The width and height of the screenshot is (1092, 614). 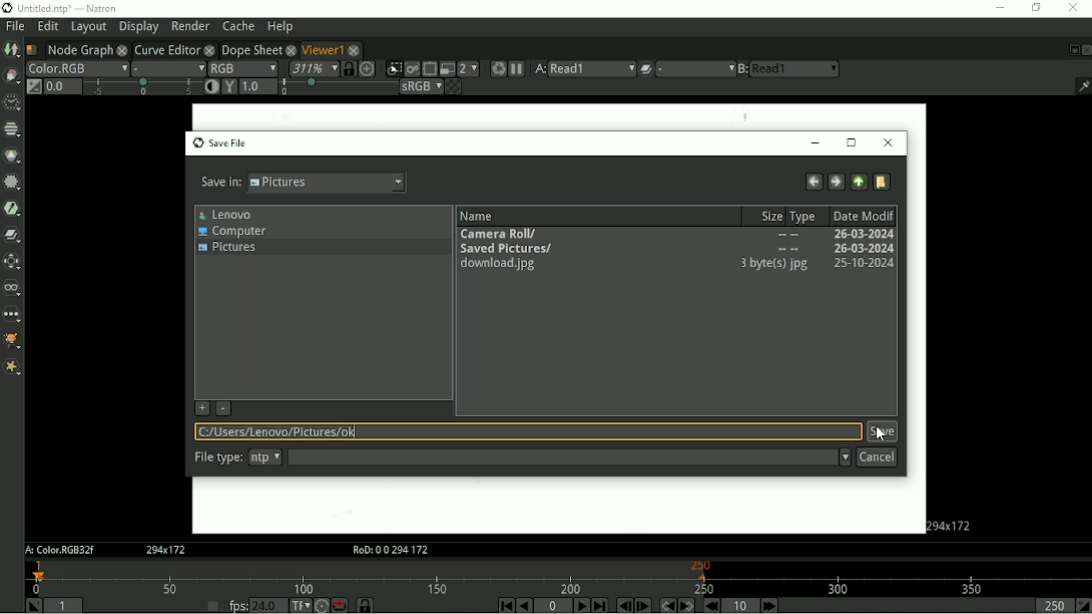 What do you see at coordinates (677, 250) in the screenshot?
I see `Saved Pictures/` at bounding box center [677, 250].